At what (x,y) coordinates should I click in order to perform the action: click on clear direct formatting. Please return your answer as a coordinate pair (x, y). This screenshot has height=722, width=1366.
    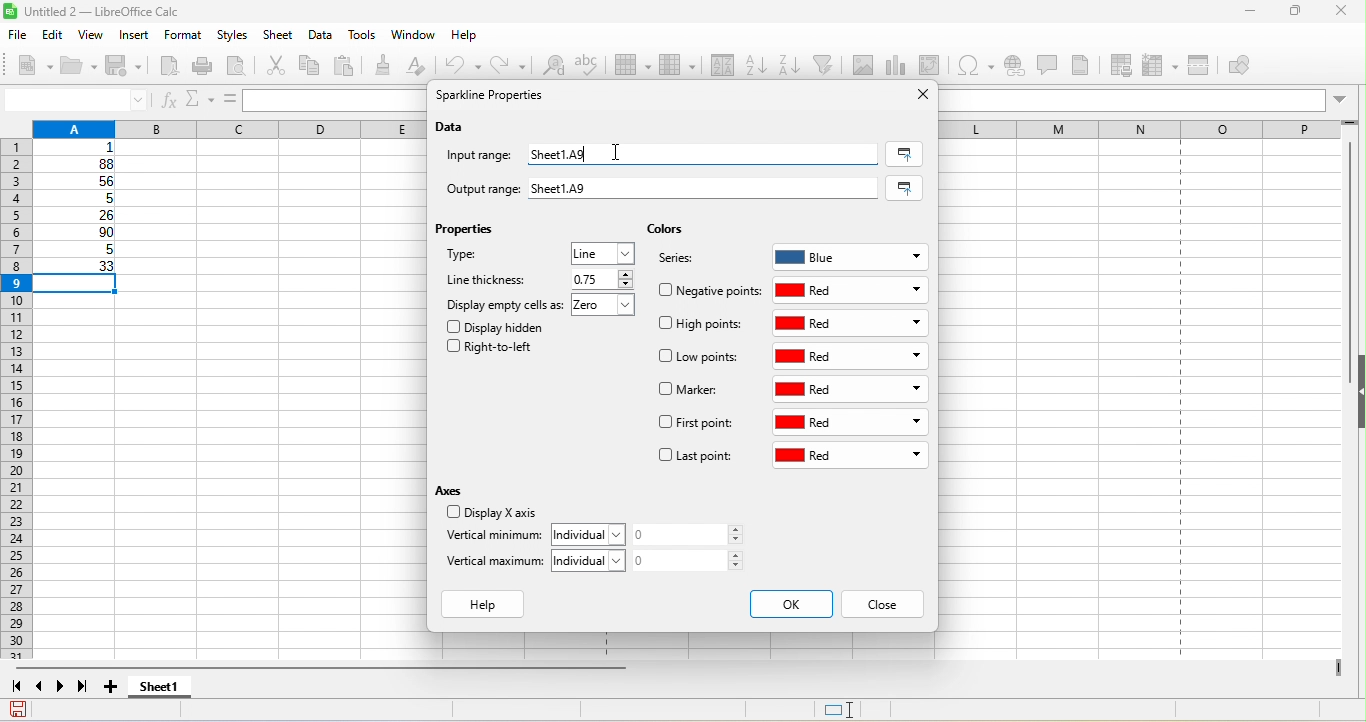
    Looking at the image, I should click on (421, 66).